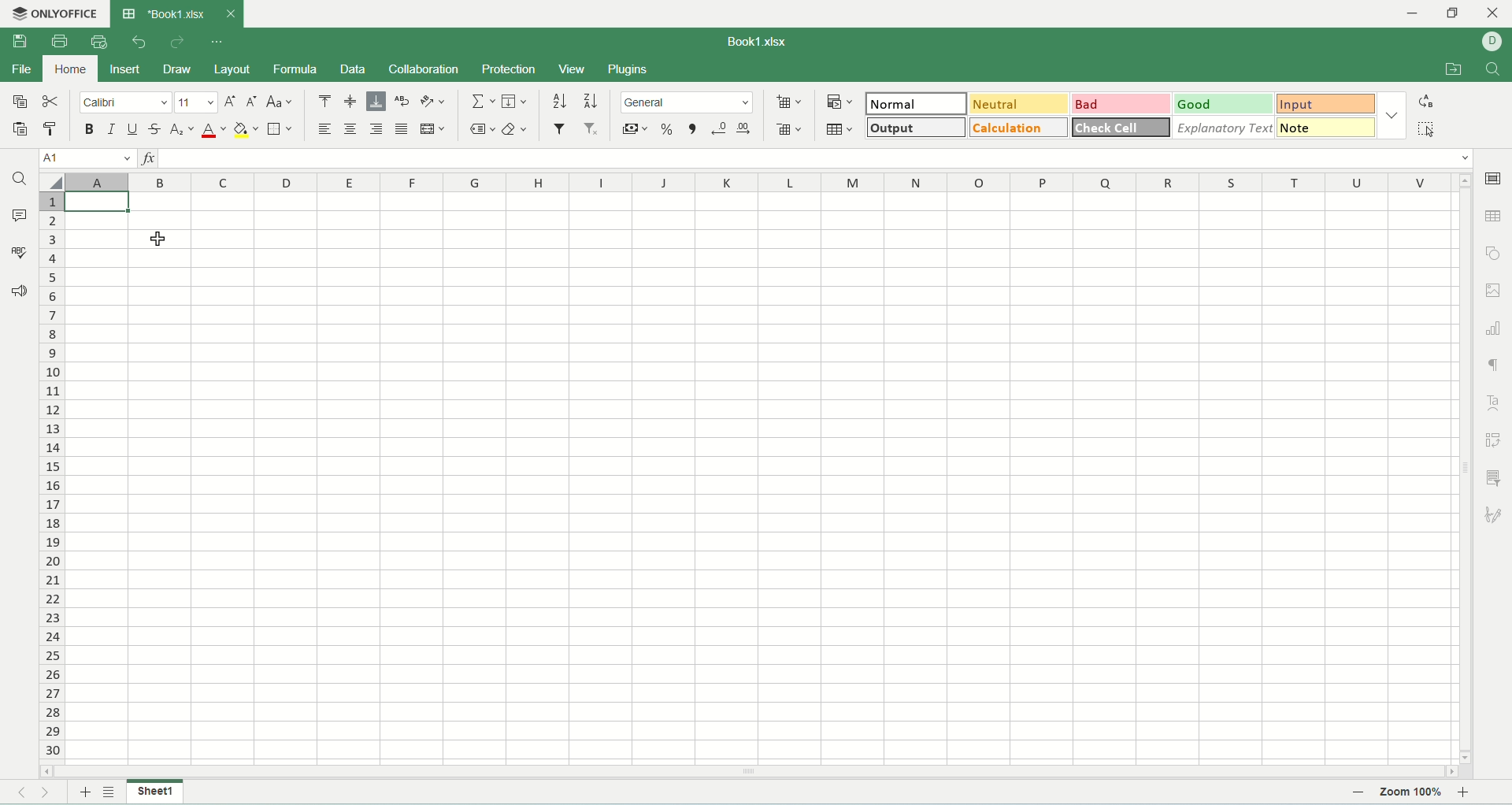  I want to click on number format, so click(689, 101).